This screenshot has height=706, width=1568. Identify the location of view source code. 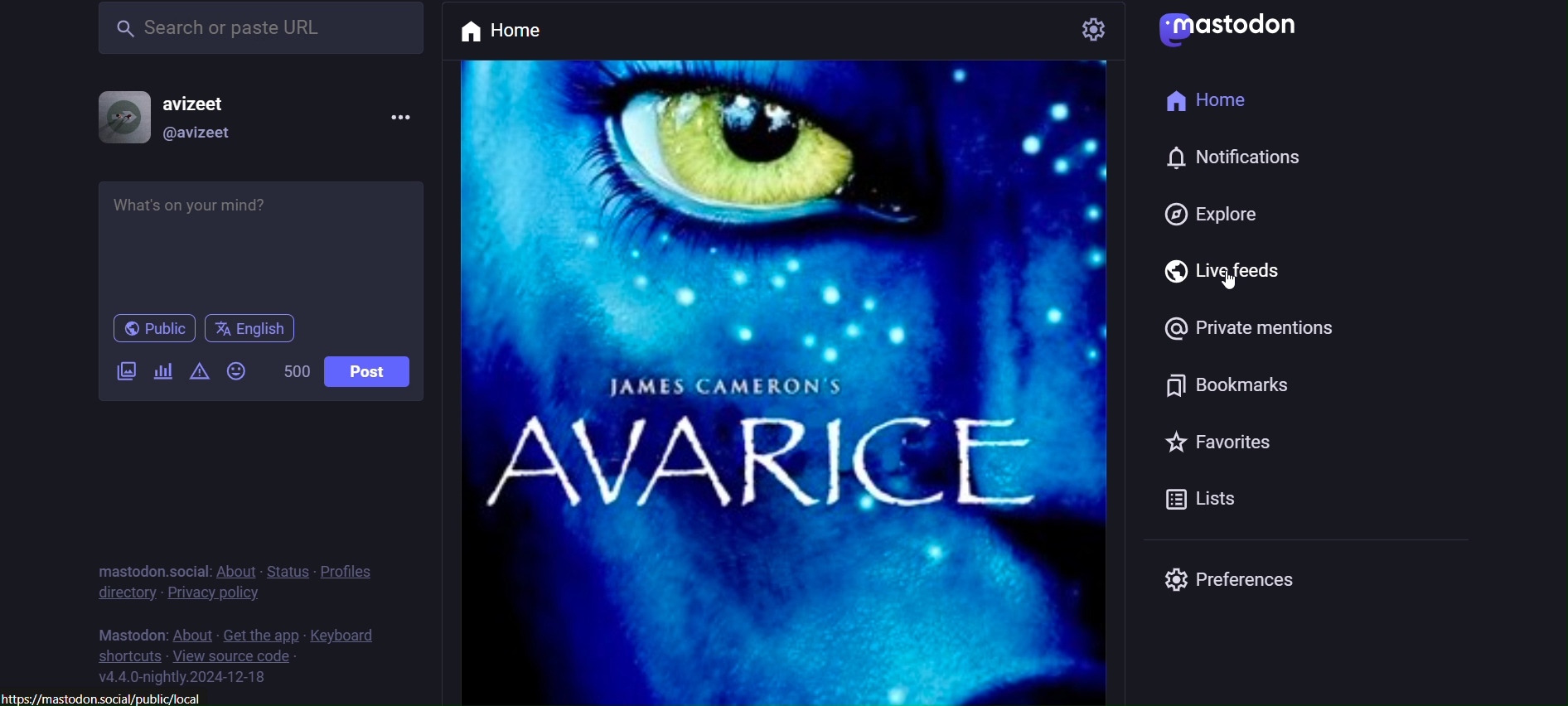
(245, 657).